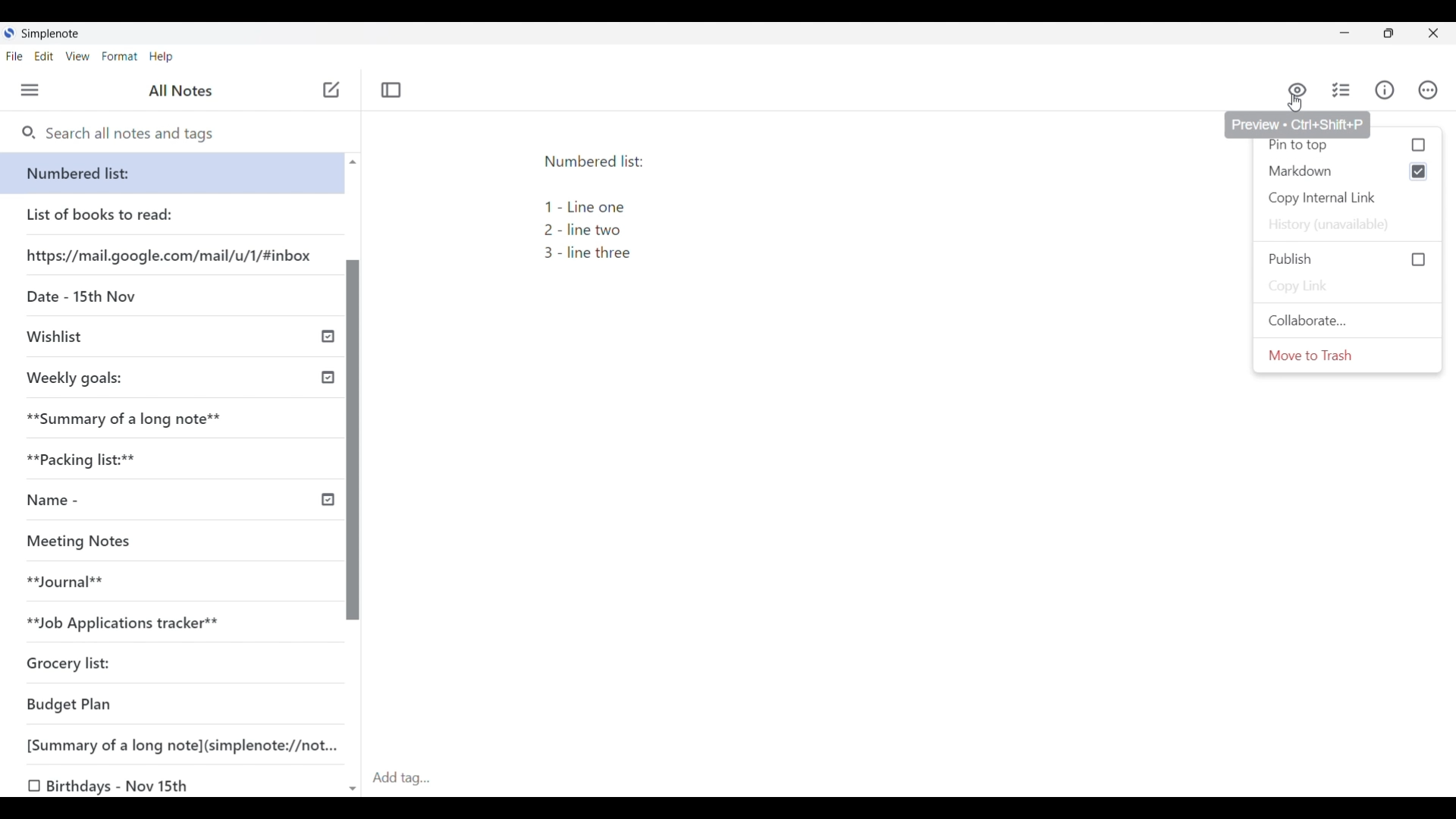 The width and height of the screenshot is (1456, 819). Describe the element at coordinates (171, 256) in the screenshot. I see `https://mail.google.com/mail/u/1/#inbox` at that location.